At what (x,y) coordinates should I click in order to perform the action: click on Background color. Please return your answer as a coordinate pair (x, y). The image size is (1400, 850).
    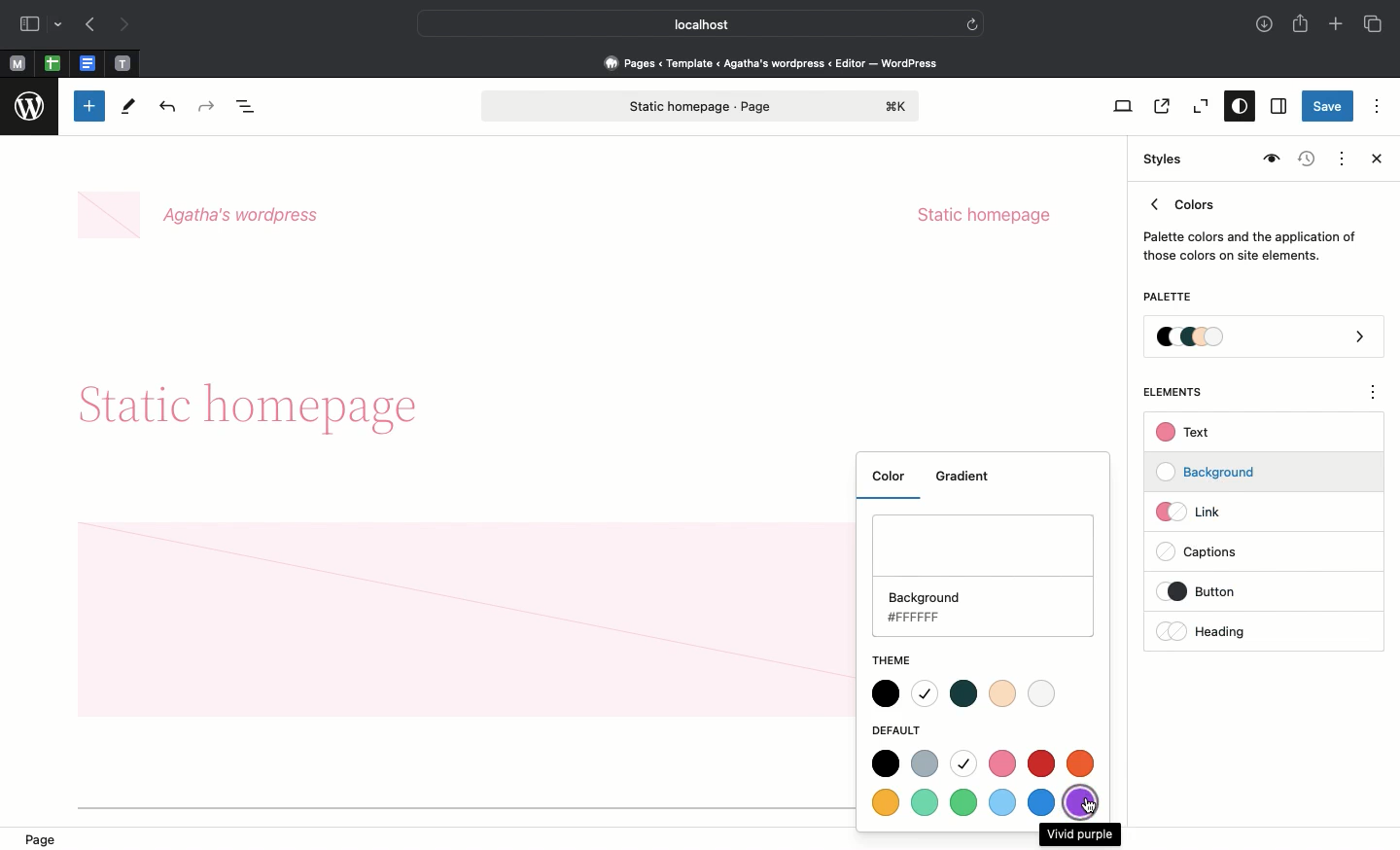
    Looking at the image, I should click on (986, 580).